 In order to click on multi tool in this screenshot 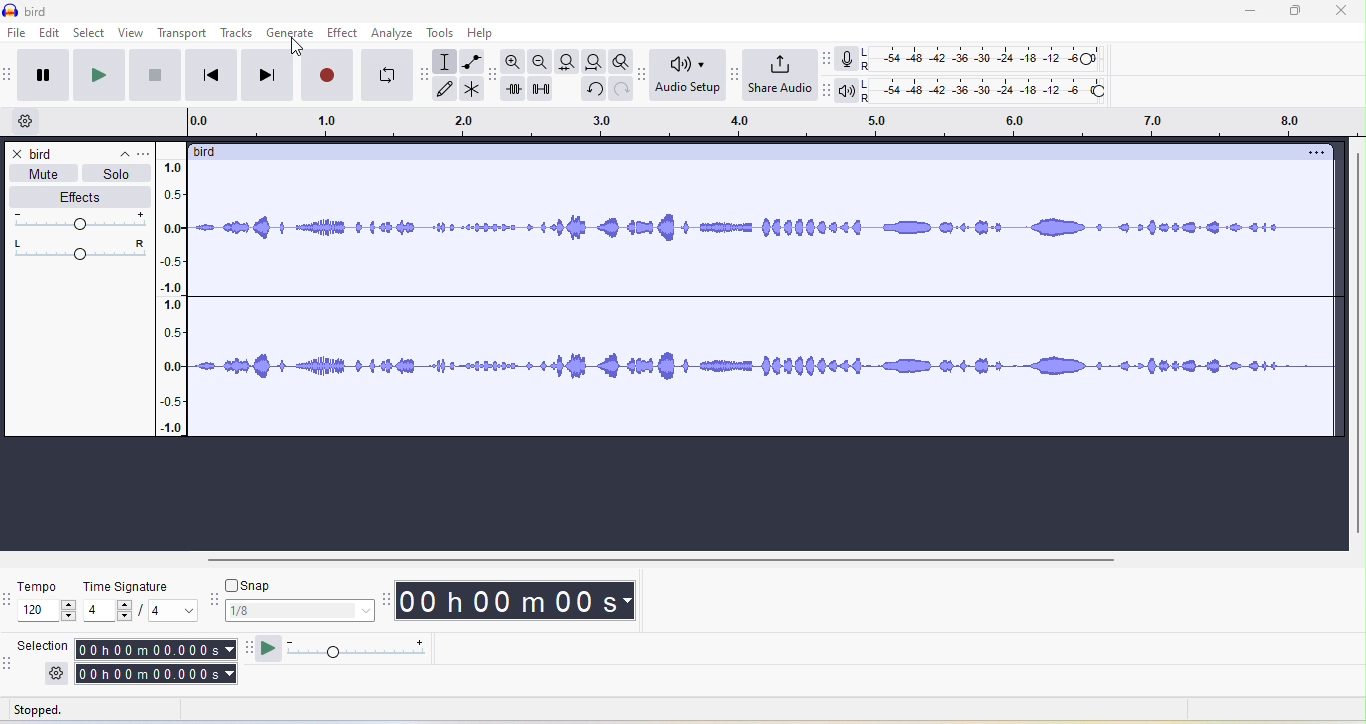, I will do `click(479, 88)`.